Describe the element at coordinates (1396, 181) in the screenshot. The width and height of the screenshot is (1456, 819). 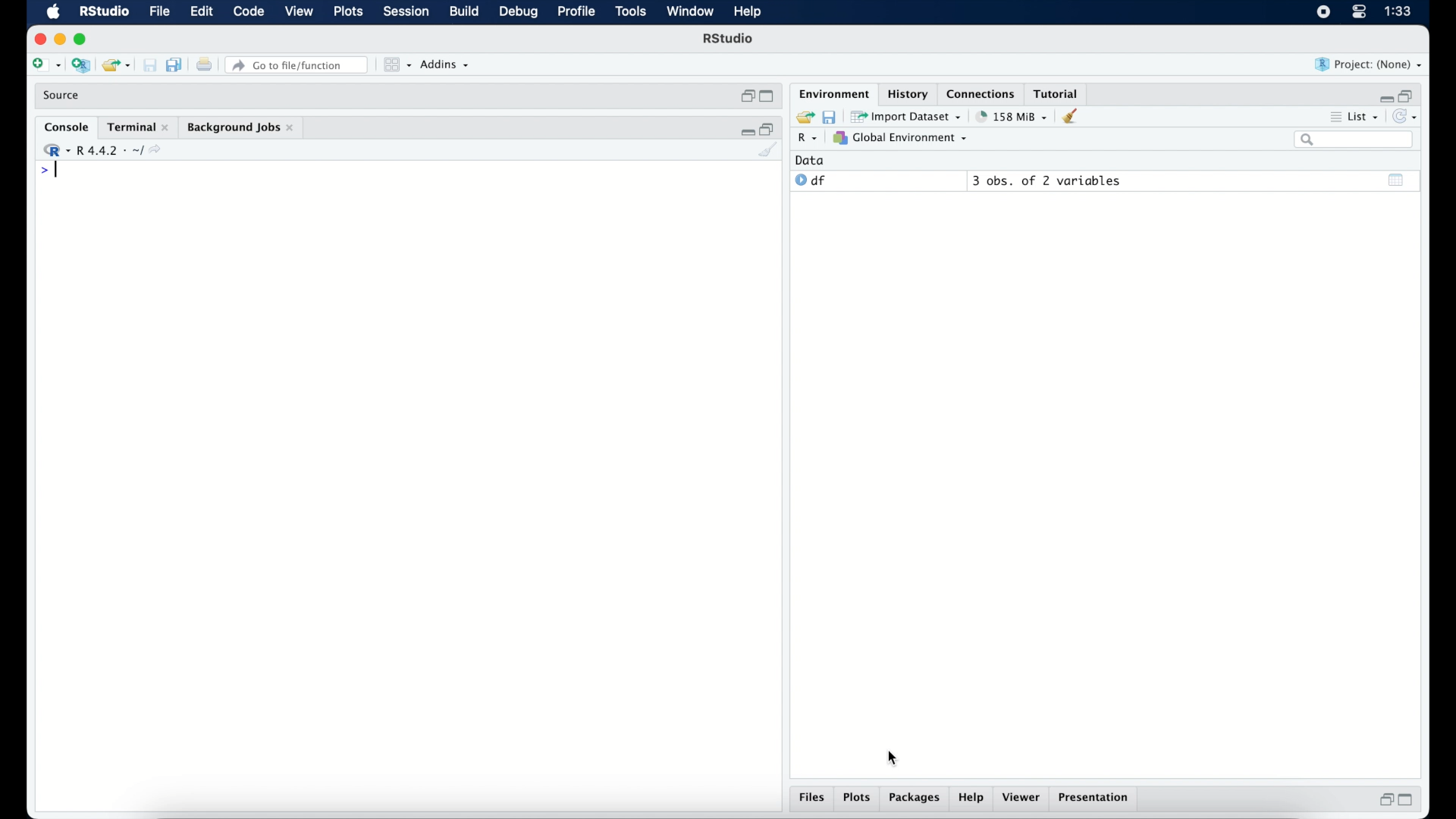
I see `show output window` at that location.